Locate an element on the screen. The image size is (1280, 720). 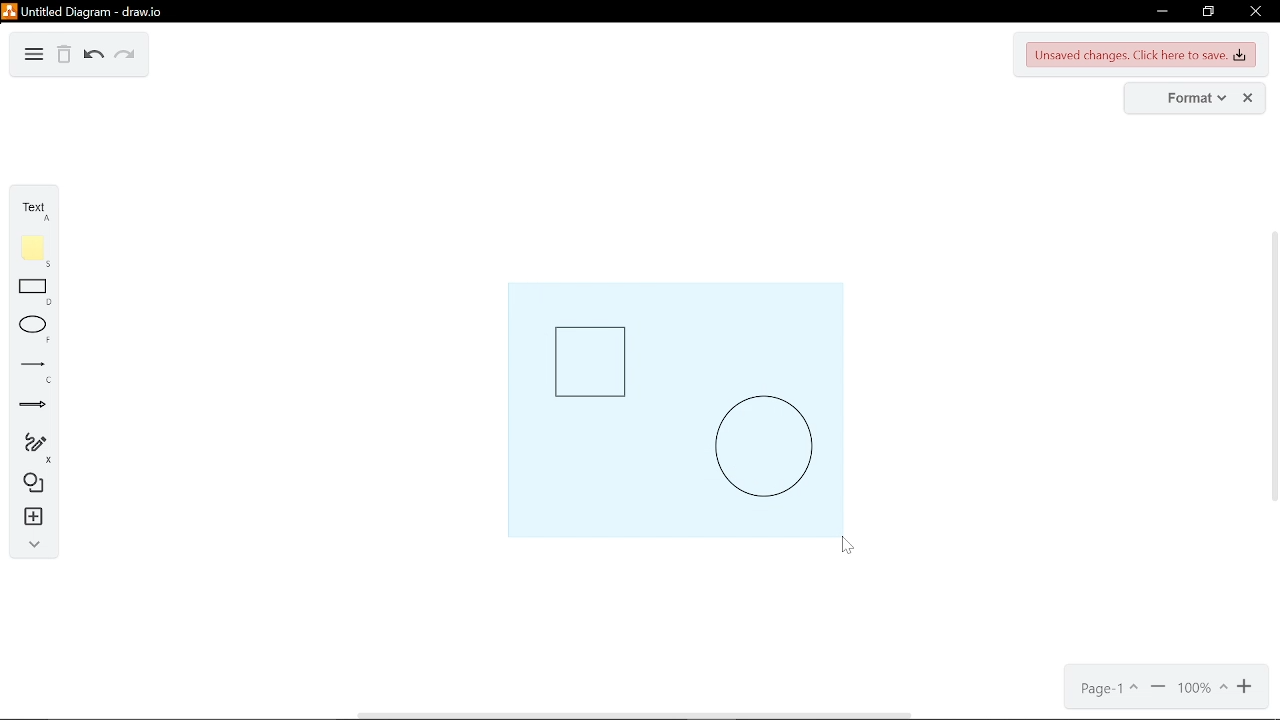
redo is located at coordinates (123, 58).